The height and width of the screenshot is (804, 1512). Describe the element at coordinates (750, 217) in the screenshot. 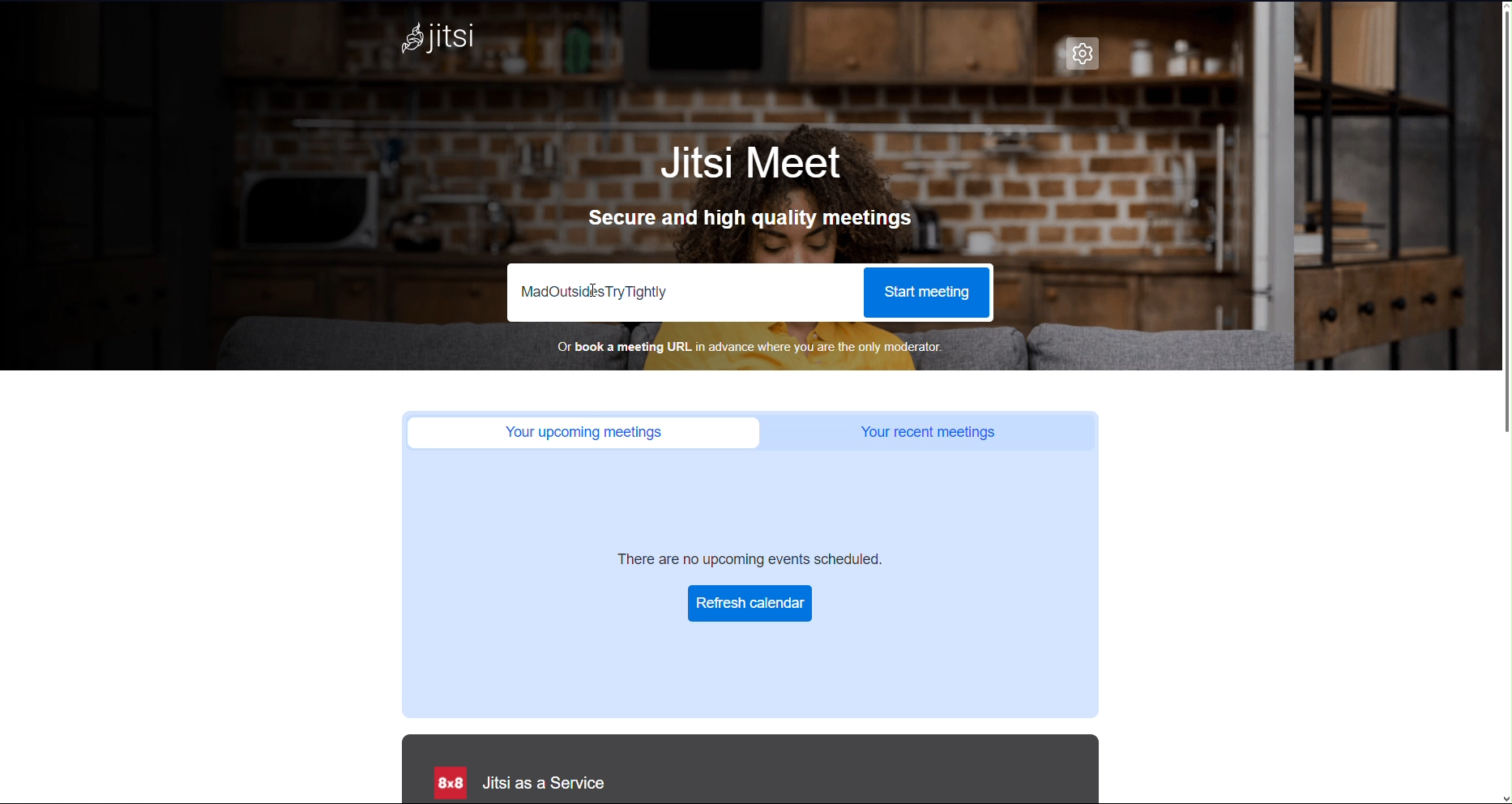

I see `Secure and high quality meetings` at that location.